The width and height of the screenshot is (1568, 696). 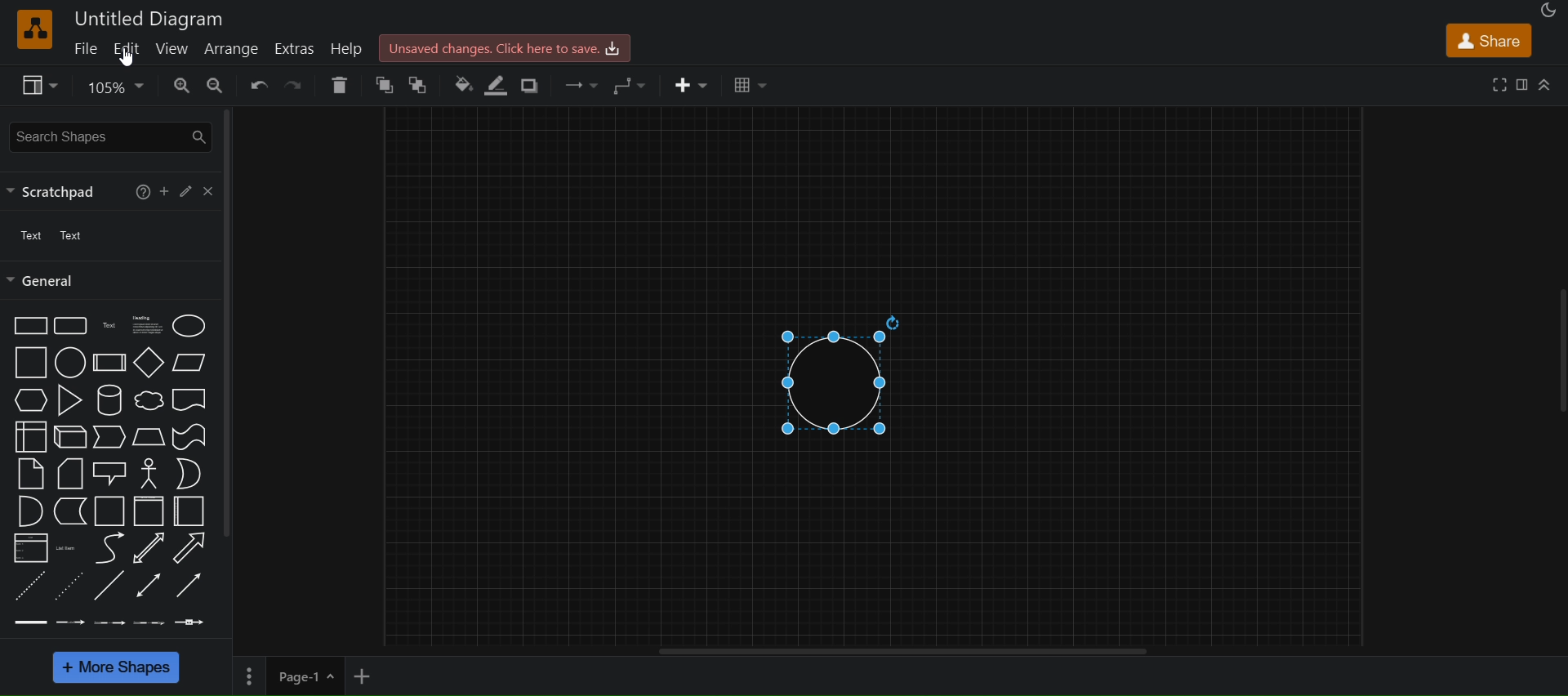 What do you see at coordinates (129, 61) in the screenshot?
I see `cursor` at bounding box center [129, 61].